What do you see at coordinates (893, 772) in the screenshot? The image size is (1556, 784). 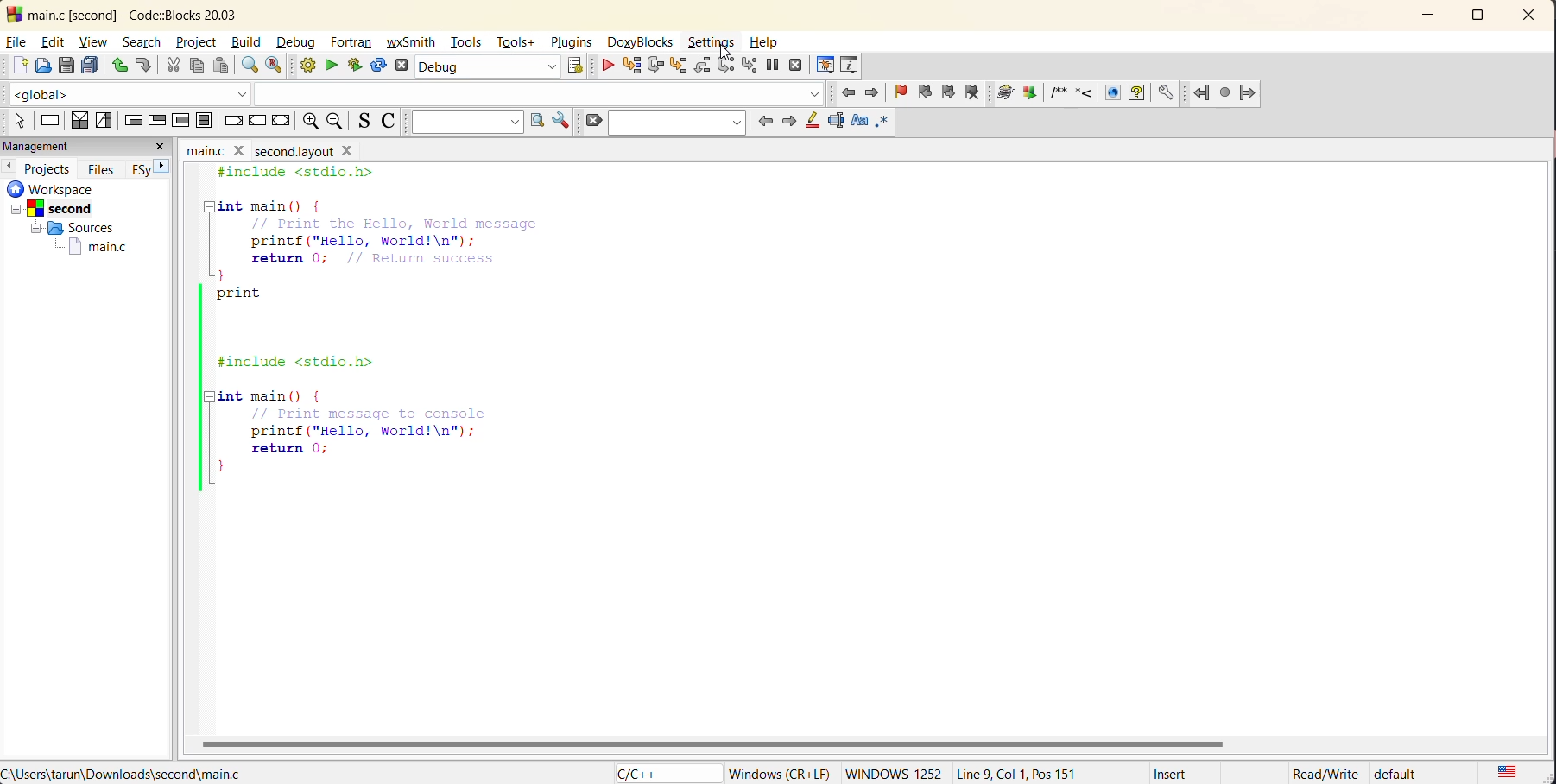 I see `Windows-1252` at bounding box center [893, 772].